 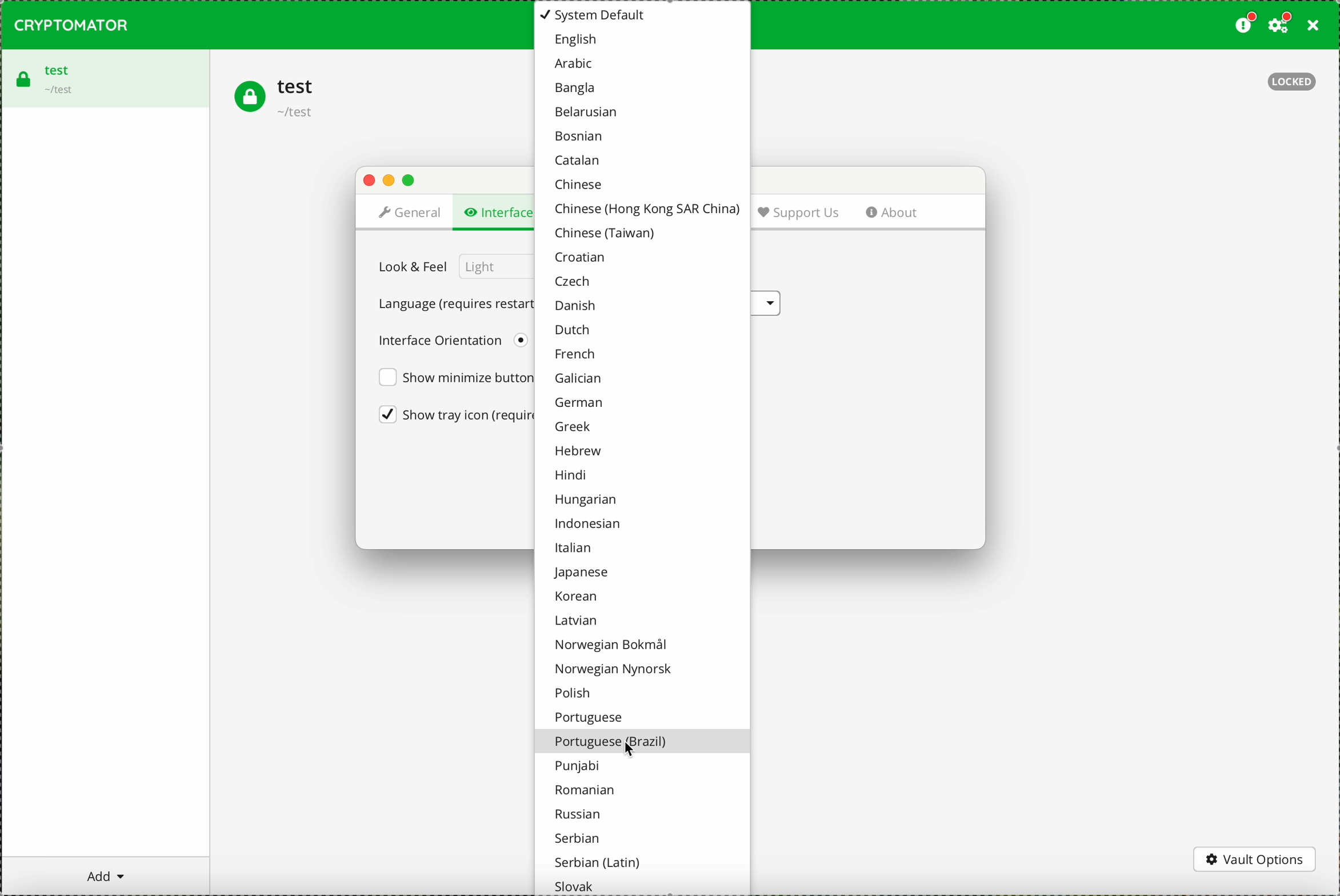 I want to click on vault options, so click(x=1258, y=859).